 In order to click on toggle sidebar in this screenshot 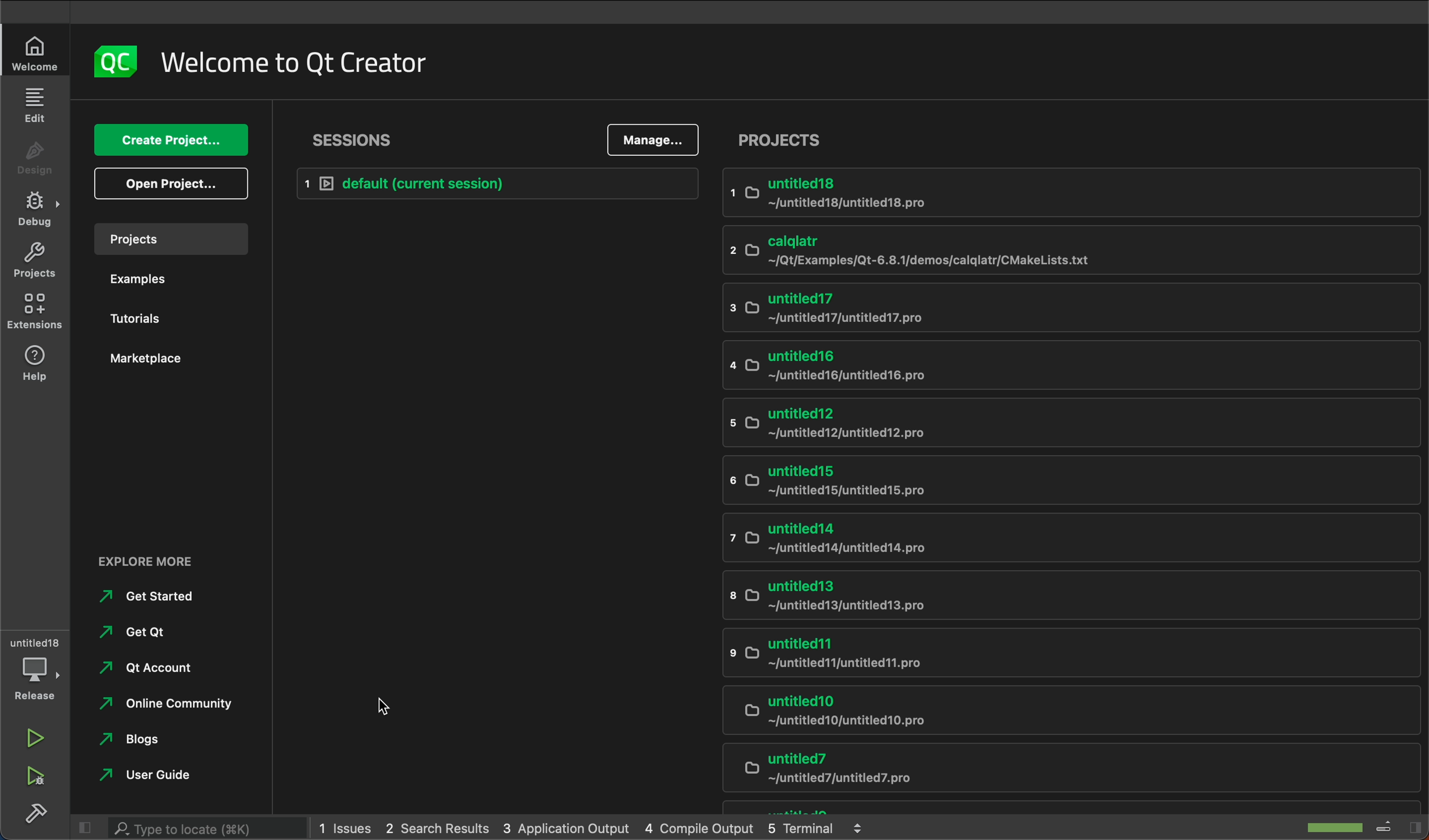, I will do `click(1398, 825)`.